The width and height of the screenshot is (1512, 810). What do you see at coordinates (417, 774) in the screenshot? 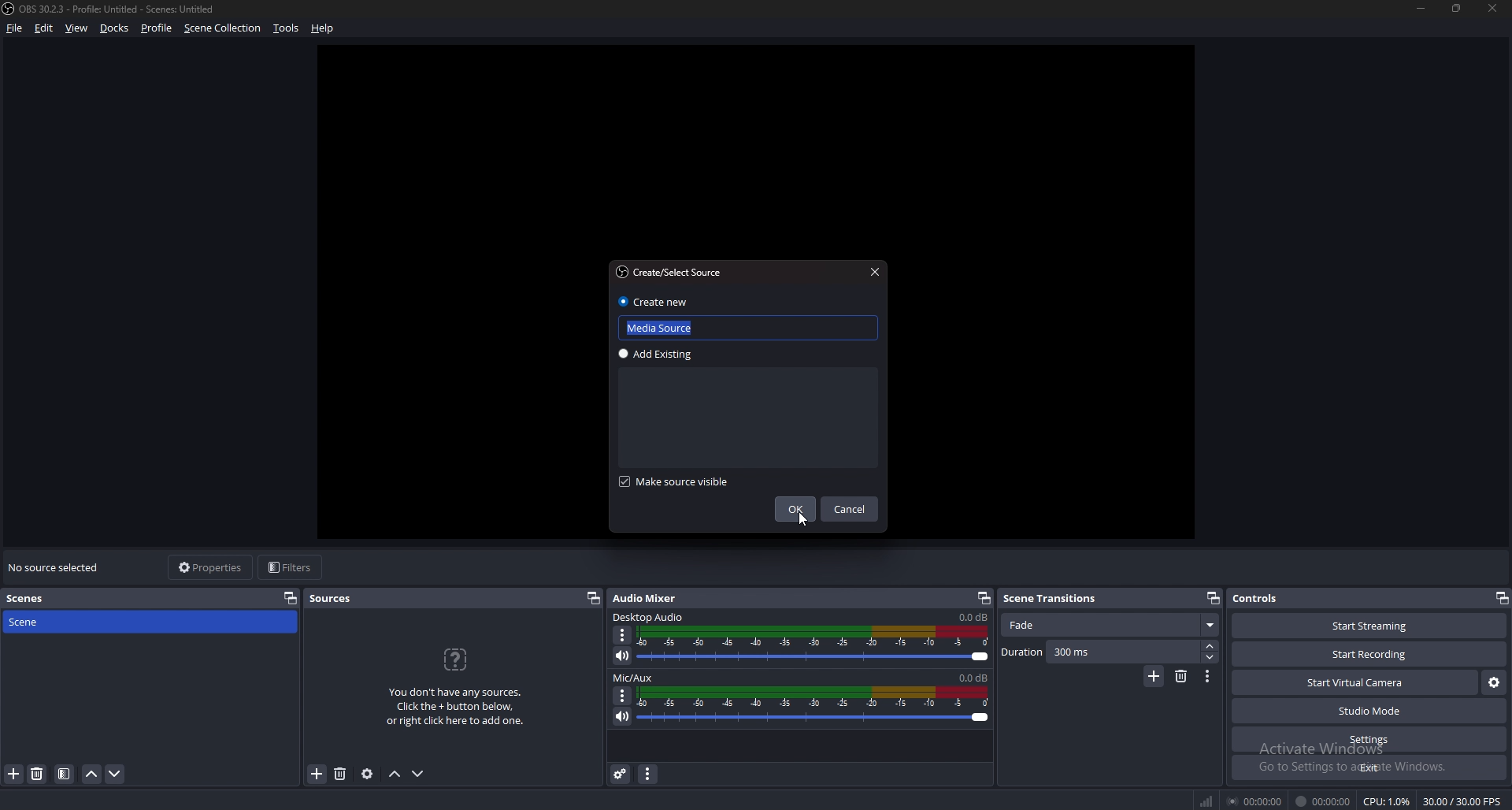
I see `Move sources down` at bounding box center [417, 774].